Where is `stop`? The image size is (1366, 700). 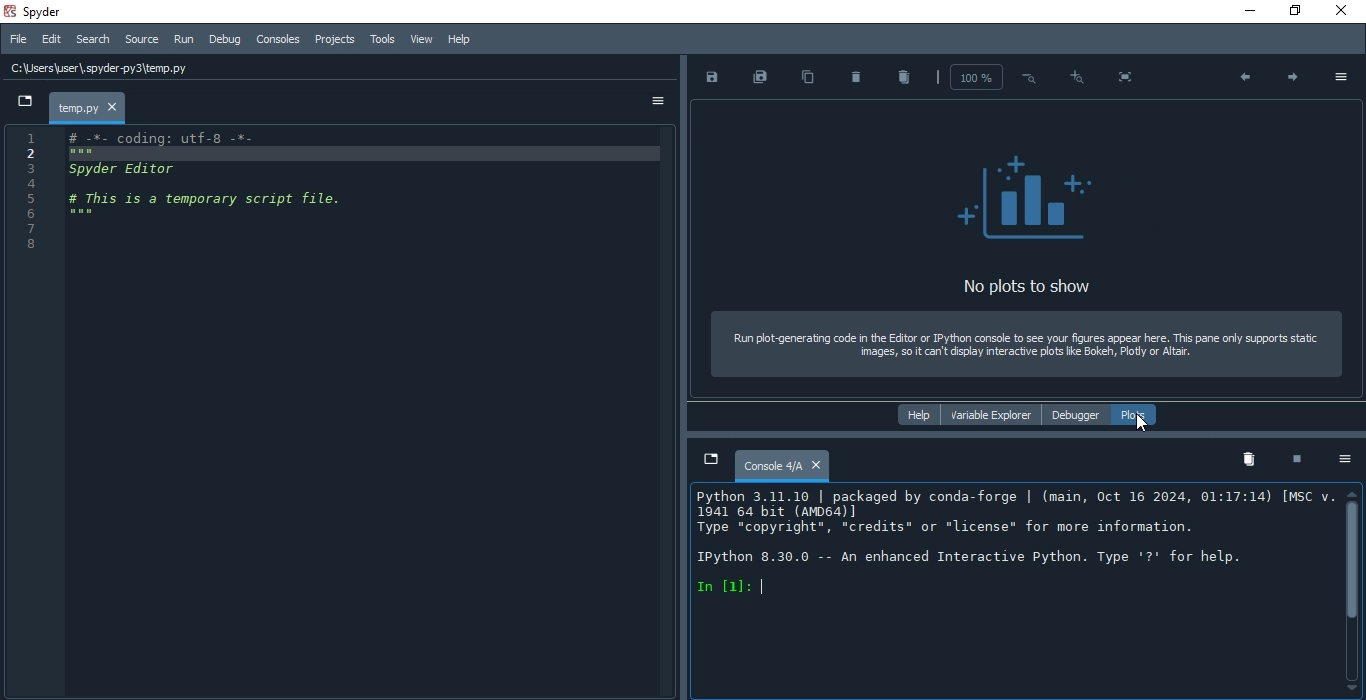
stop is located at coordinates (1297, 462).